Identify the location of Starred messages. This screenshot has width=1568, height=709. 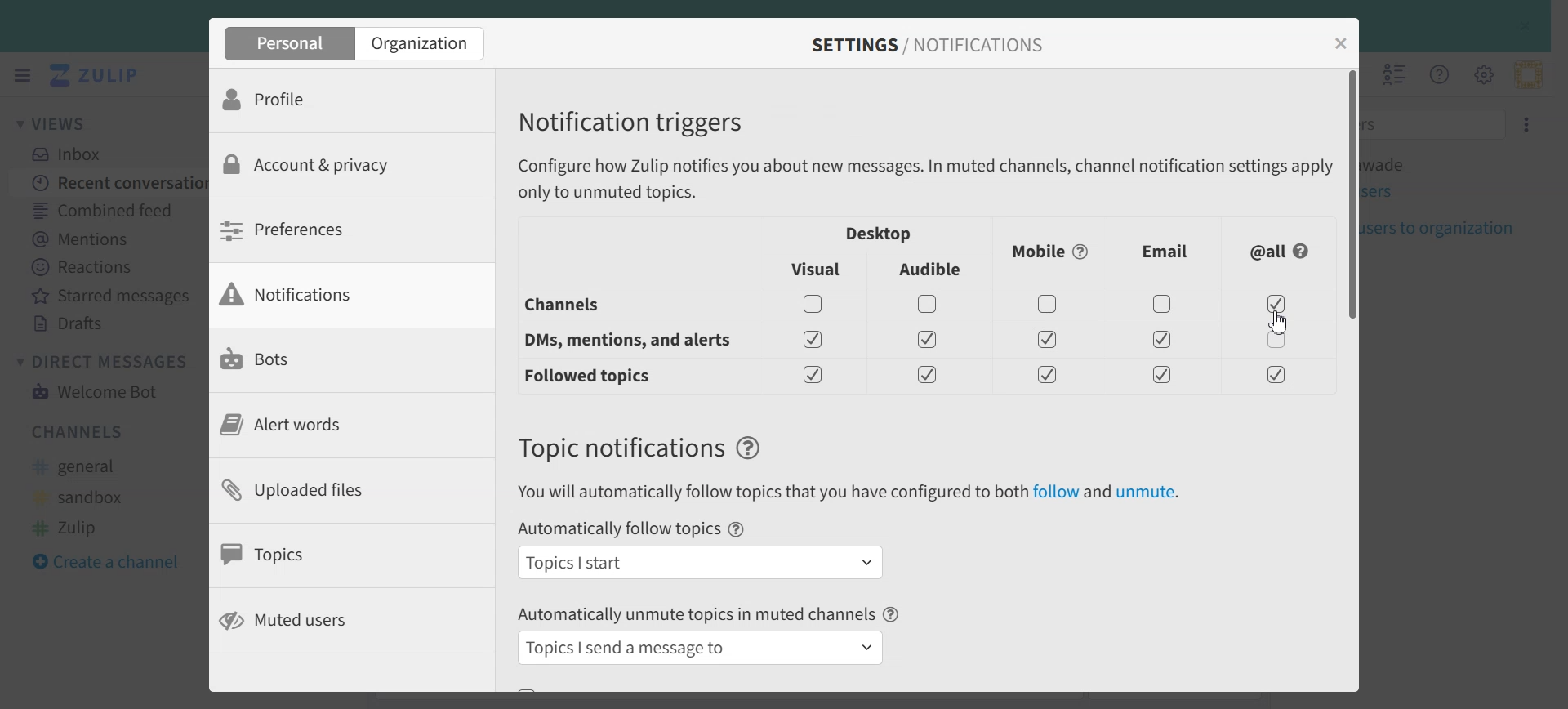
(109, 295).